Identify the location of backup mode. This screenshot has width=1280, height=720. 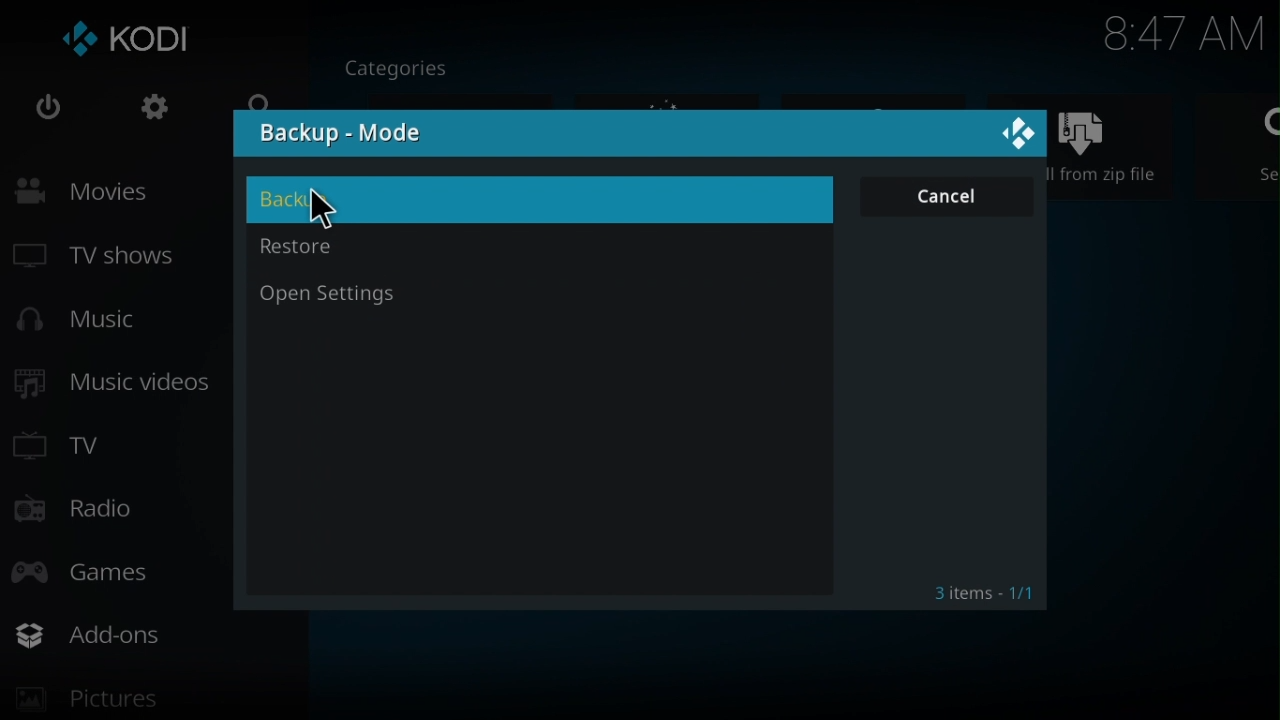
(348, 133).